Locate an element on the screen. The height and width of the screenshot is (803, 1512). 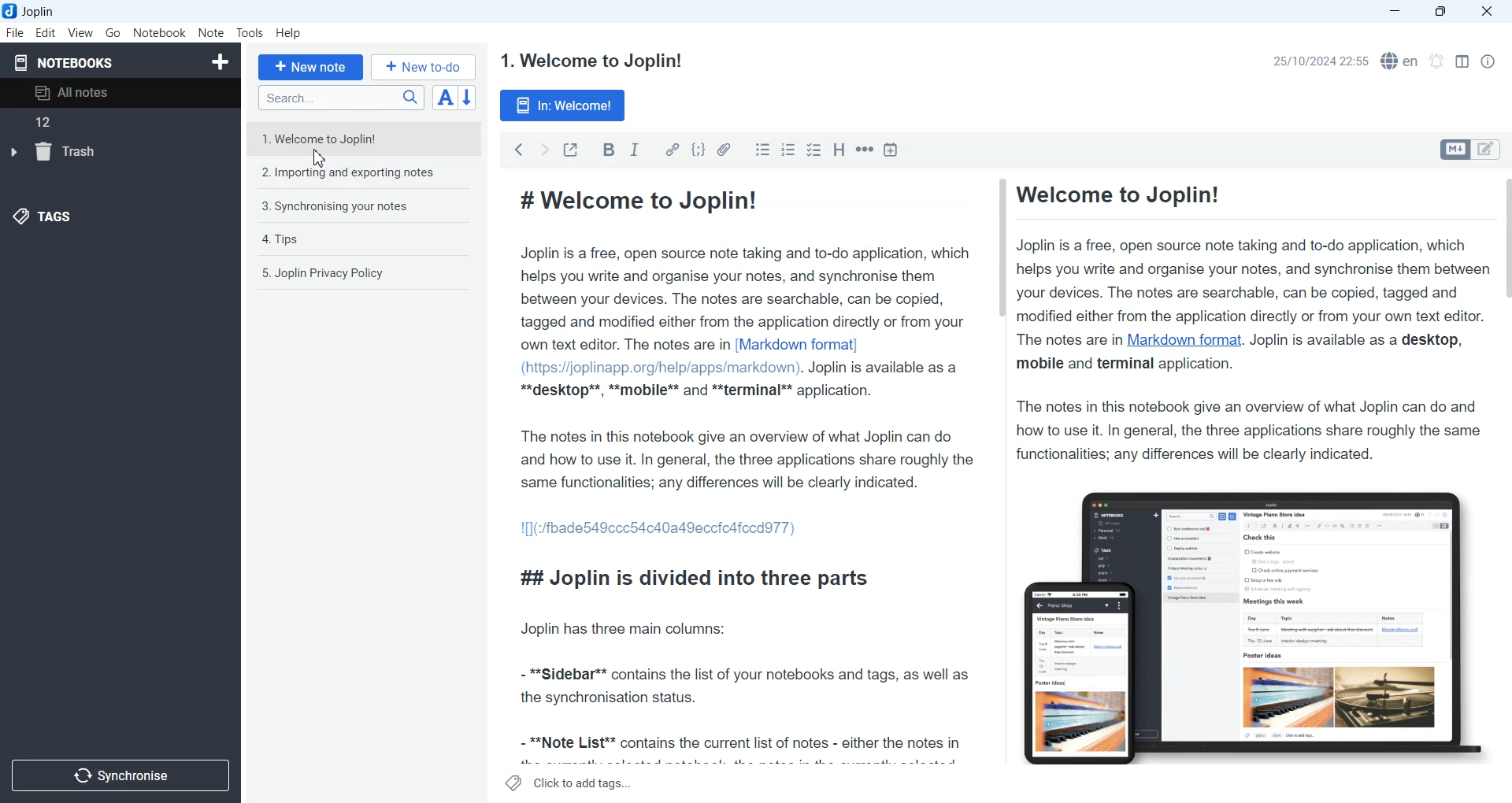
Toggle editor layout is located at coordinates (1462, 61).